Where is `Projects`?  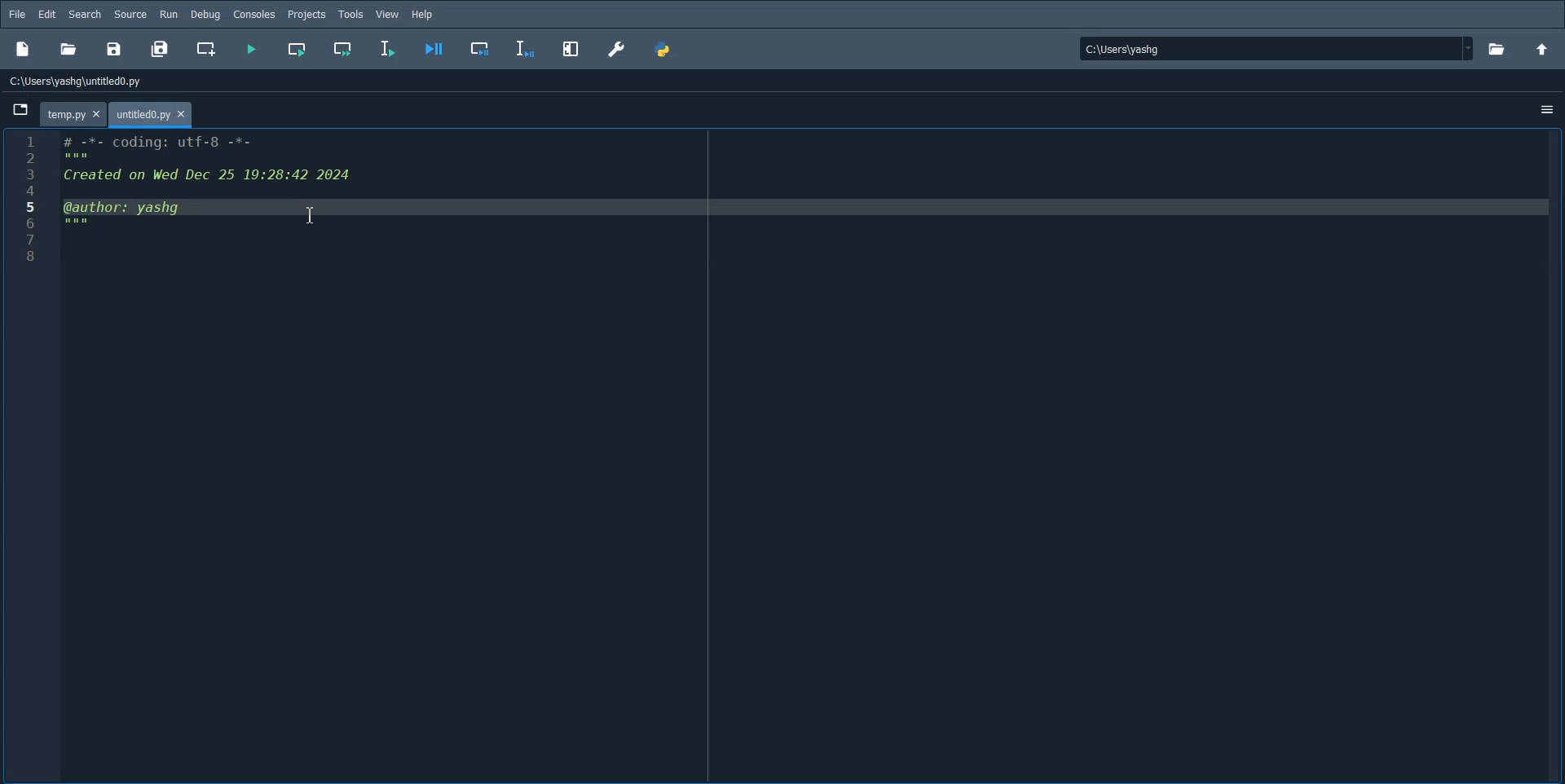 Projects is located at coordinates (307, 14).